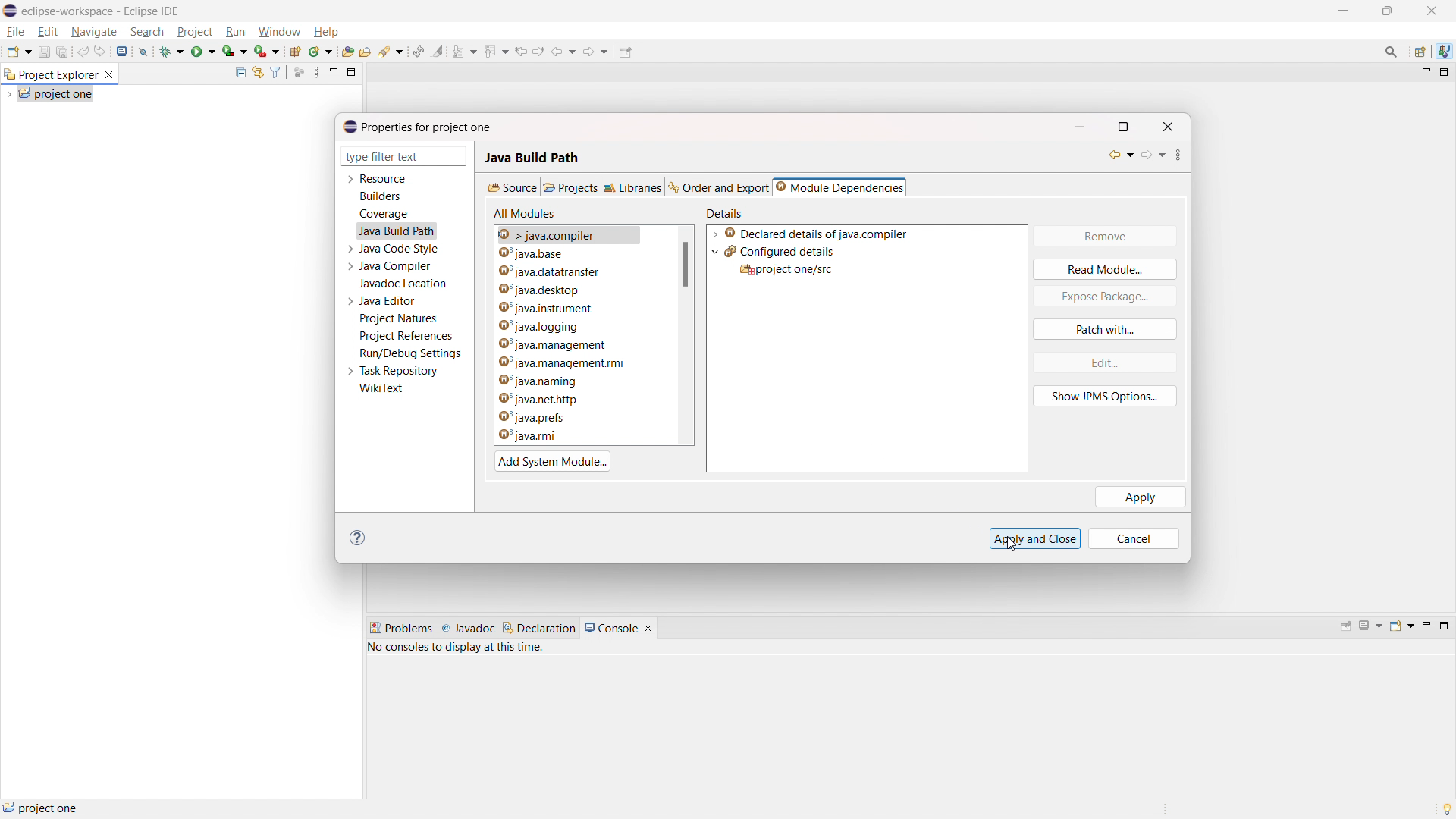  What do you see at coordinates (532, 152) in the screenshot?
I see `Java build path` at bounding box center [532, 152].